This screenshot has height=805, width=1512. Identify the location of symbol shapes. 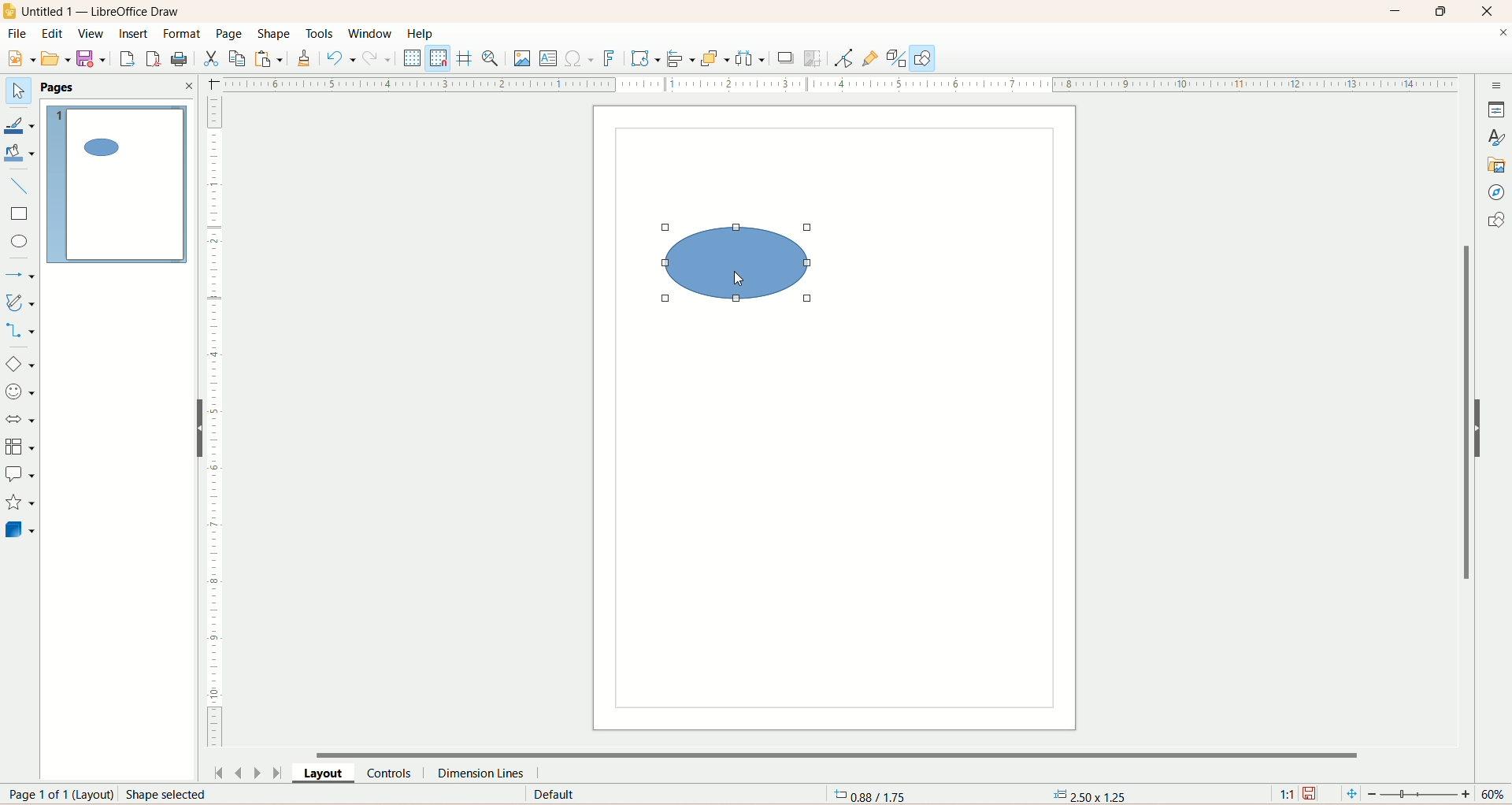
(19, 393).